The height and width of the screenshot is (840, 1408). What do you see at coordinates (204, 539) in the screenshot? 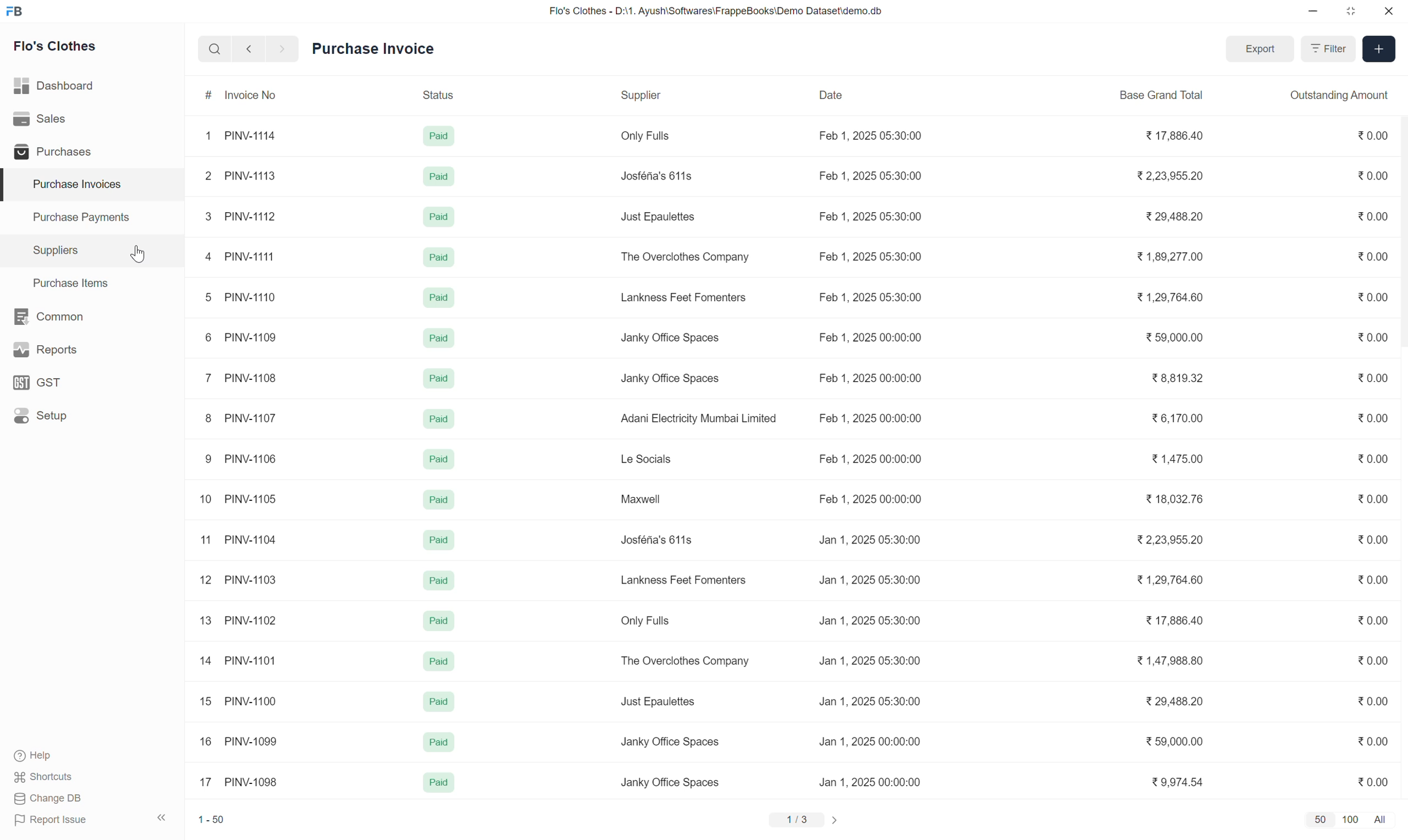
I see `11` at bounding box center [204, 539].